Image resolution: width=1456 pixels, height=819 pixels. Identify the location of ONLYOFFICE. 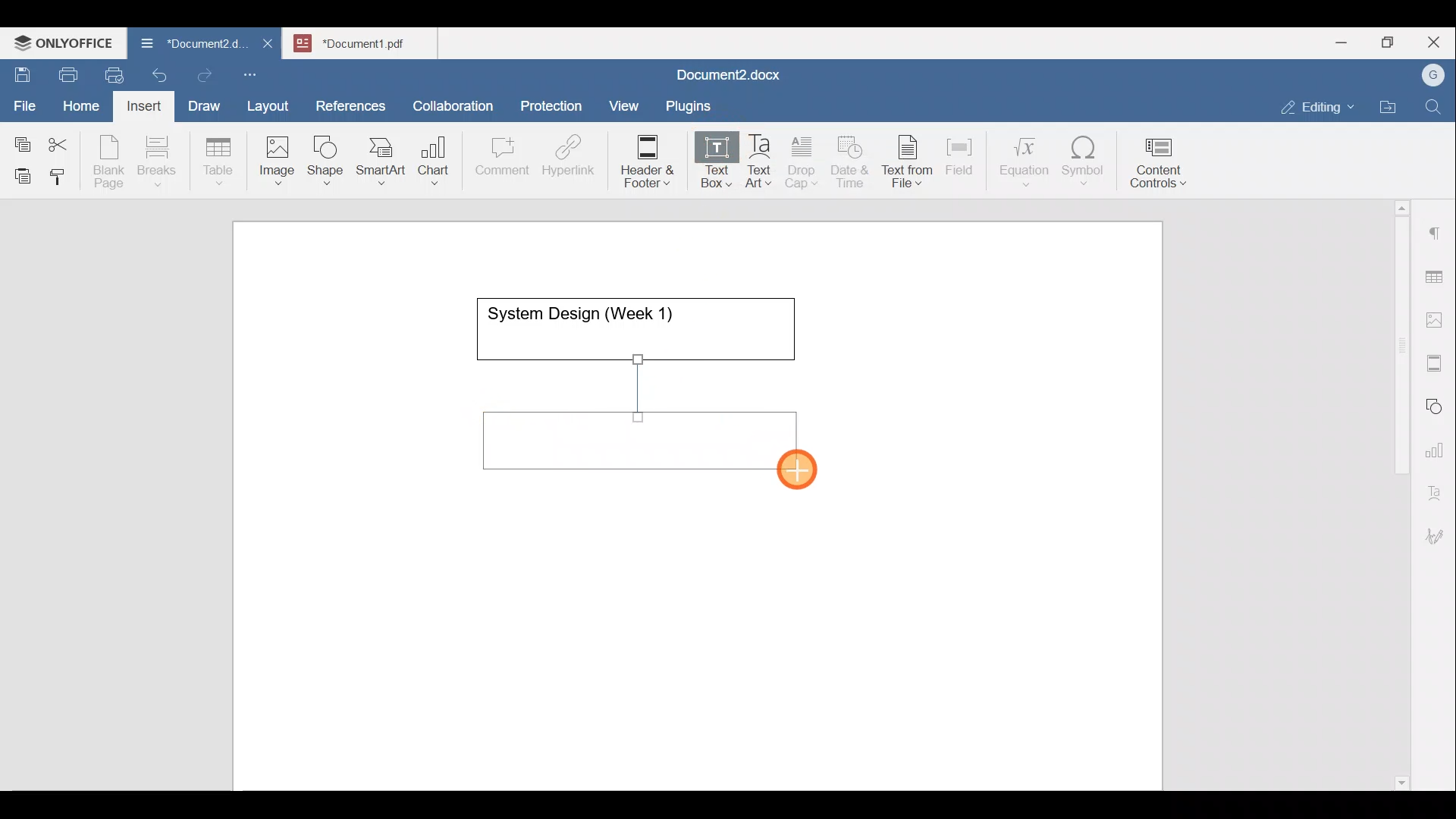
(64, 42).